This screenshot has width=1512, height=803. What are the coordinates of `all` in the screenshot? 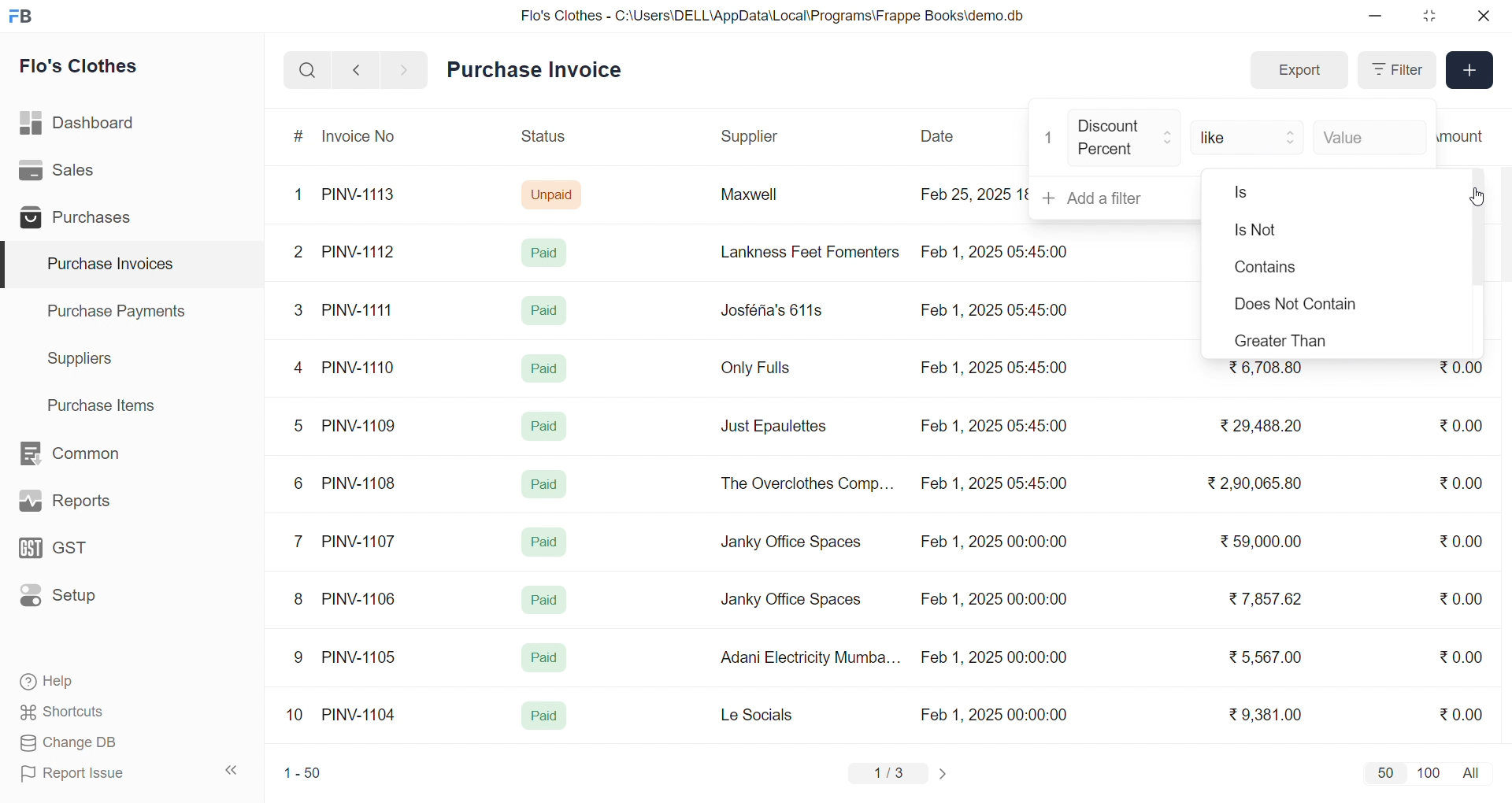 It's located at (1474, 772).